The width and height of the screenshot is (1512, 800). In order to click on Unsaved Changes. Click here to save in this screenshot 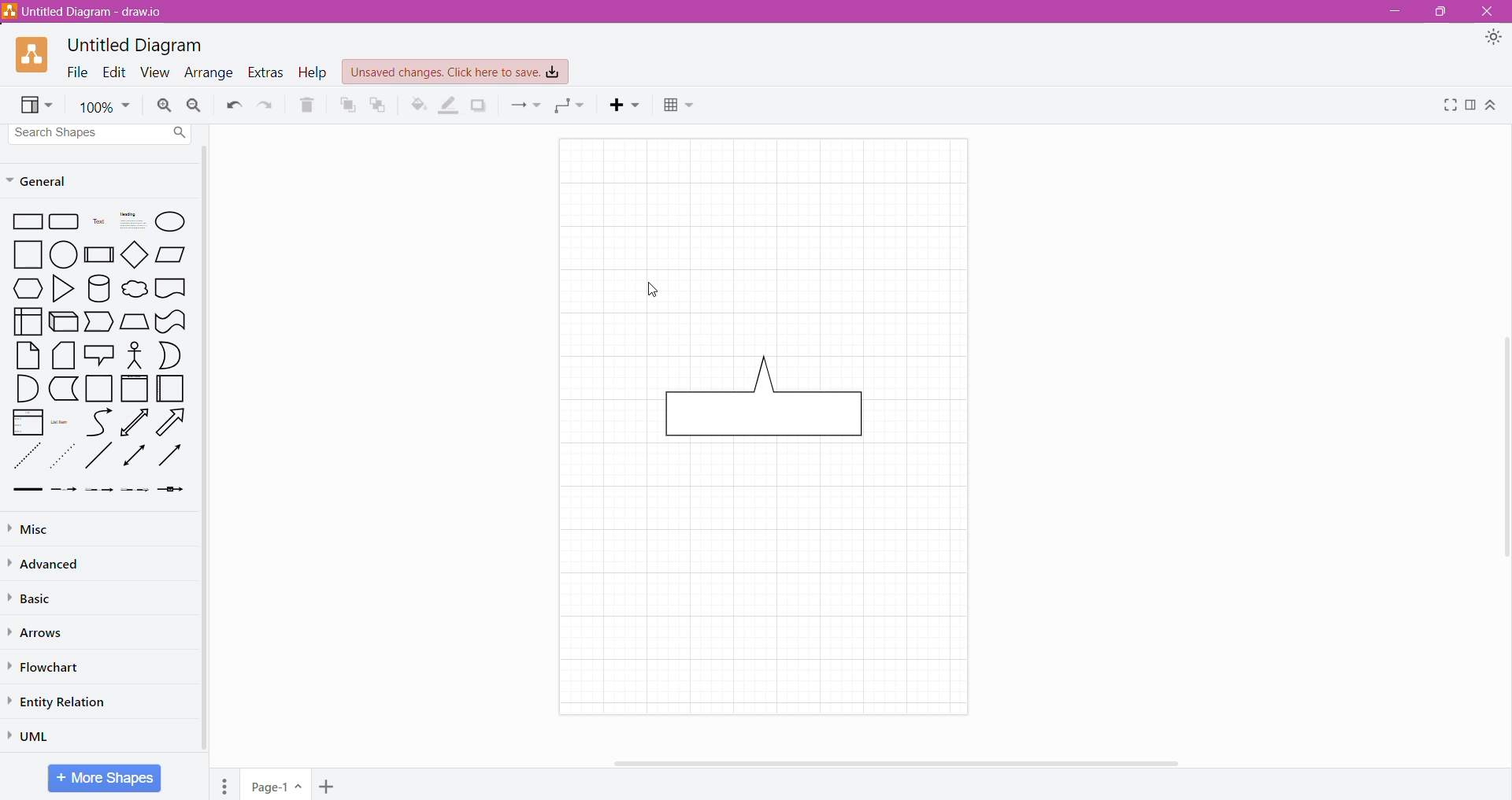, I will do `click(456, 72)`.